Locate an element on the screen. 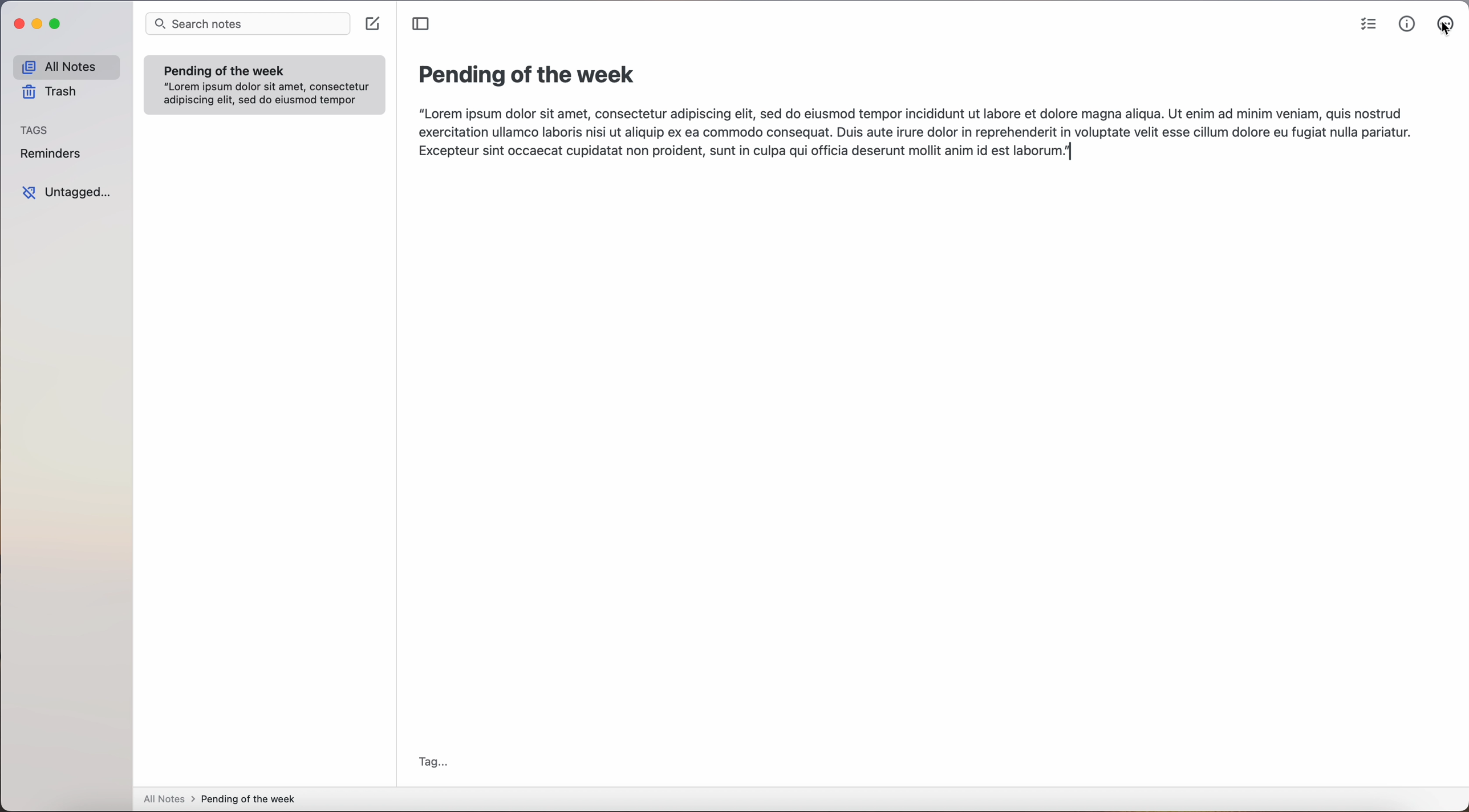 The height and width of the screenshot is (812, 1469). search notes is located at coordinates (249, 23).